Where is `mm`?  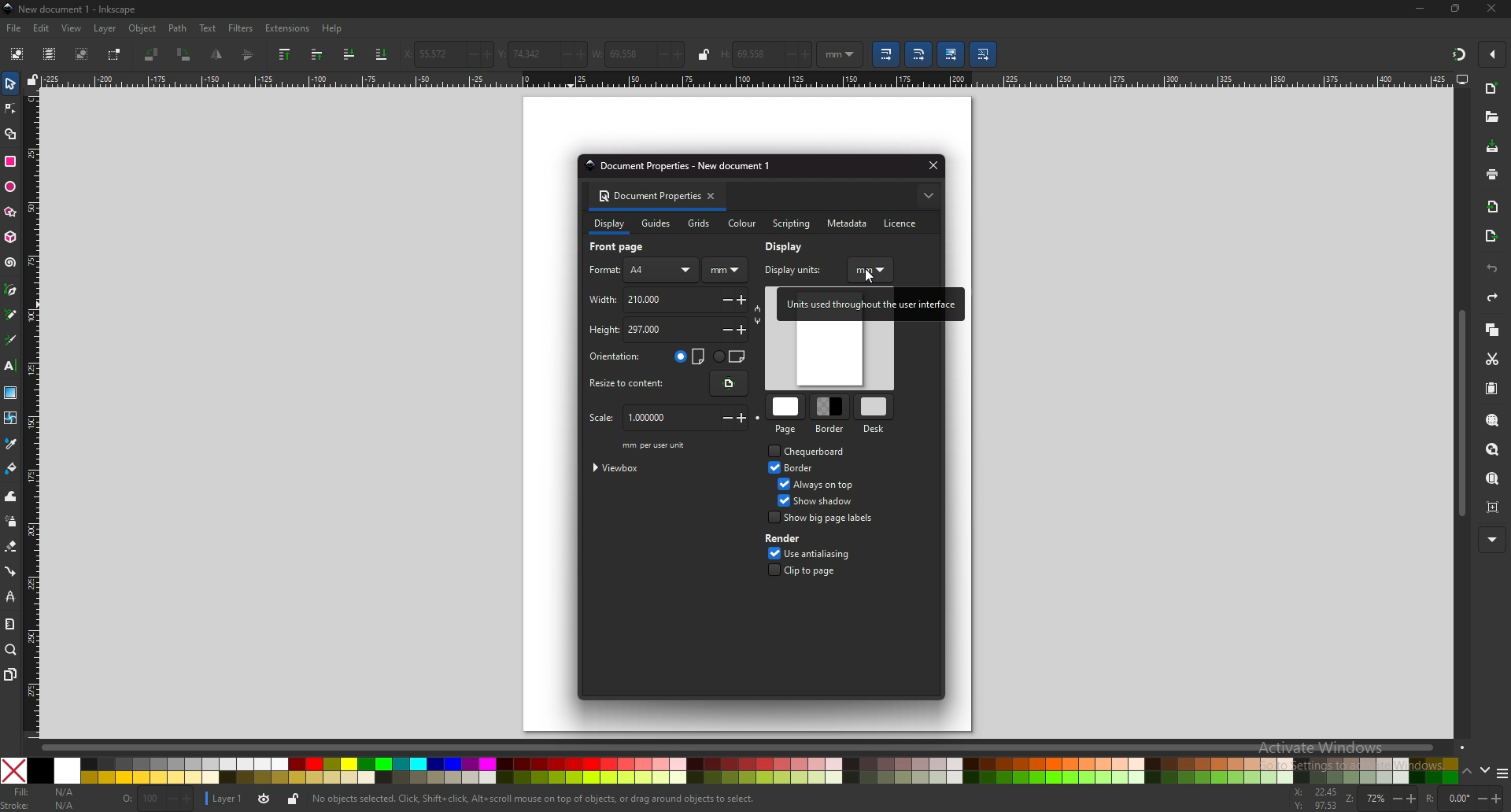 mm is located at coordinates (830, 54).